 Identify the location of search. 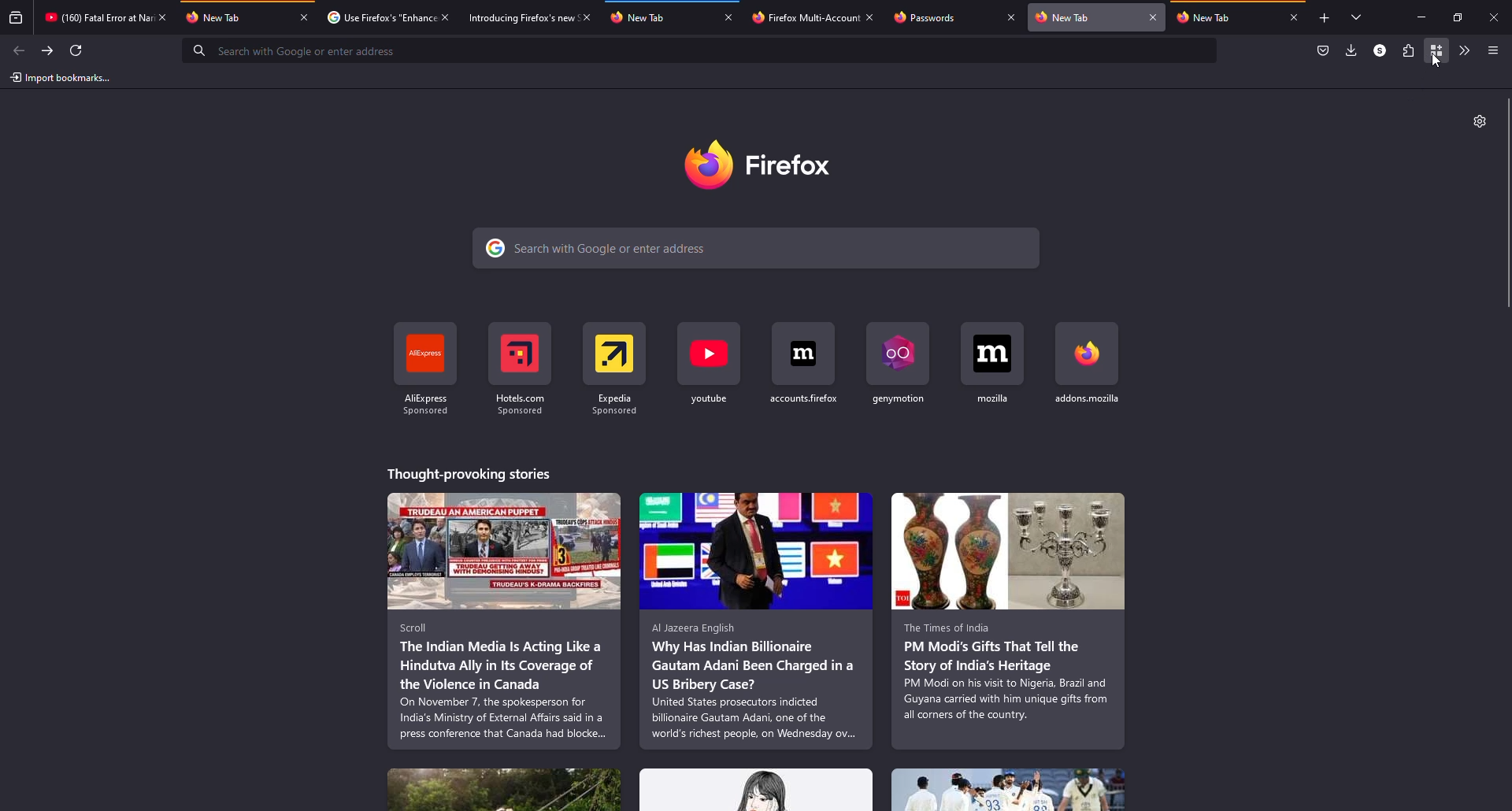
(759, 247).